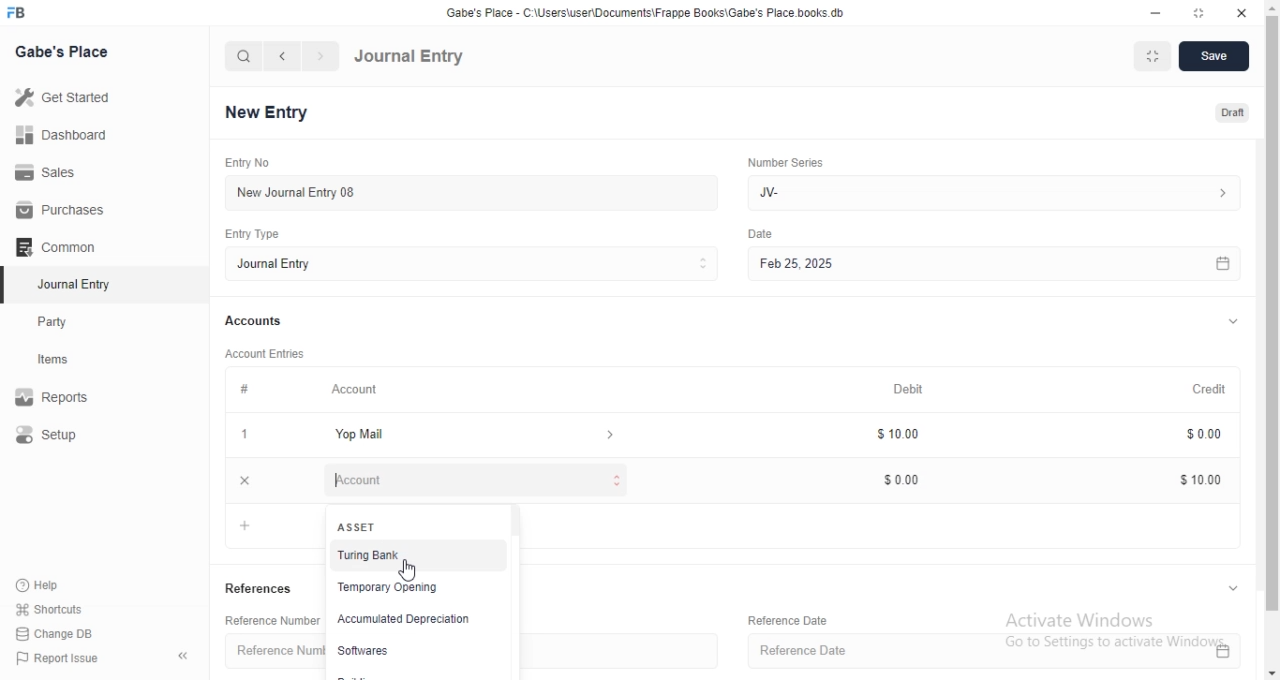 This screenshot has width=1280, height=680. I want to click on Journal Entry, so click(71, 284).